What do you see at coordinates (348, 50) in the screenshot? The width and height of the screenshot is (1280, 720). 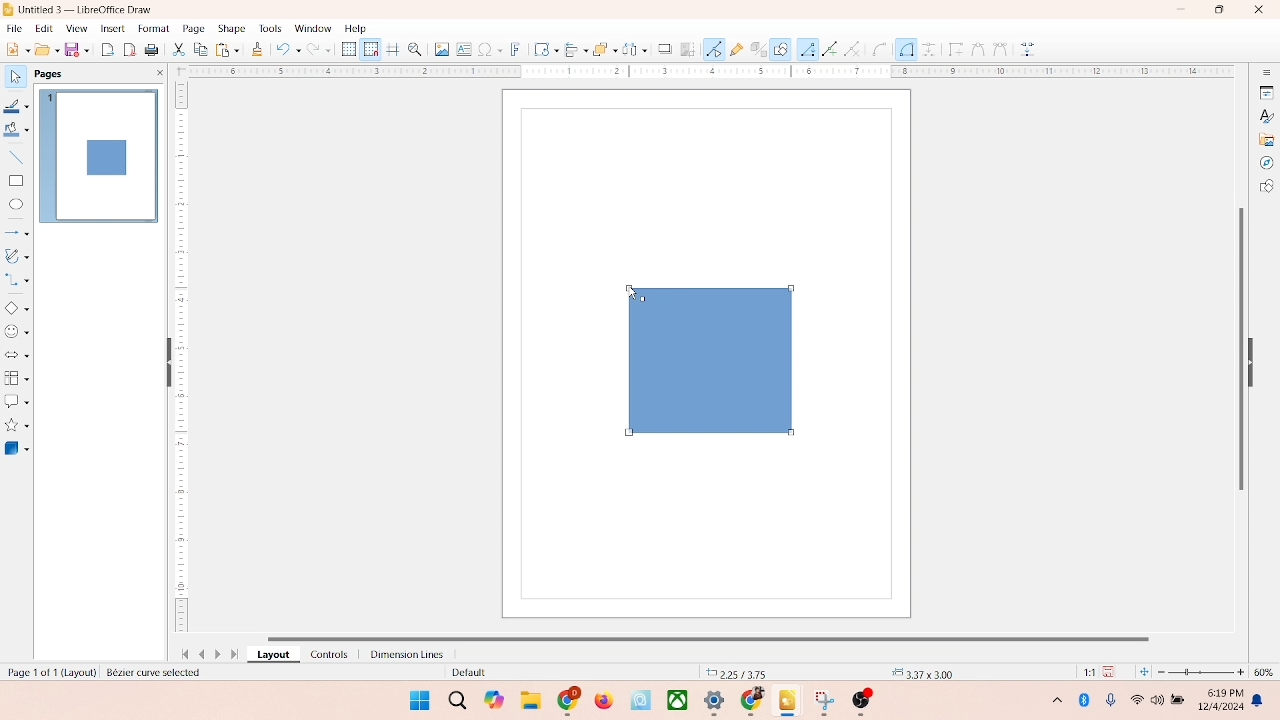 I see `show grid` at bounding box center [348, 50].